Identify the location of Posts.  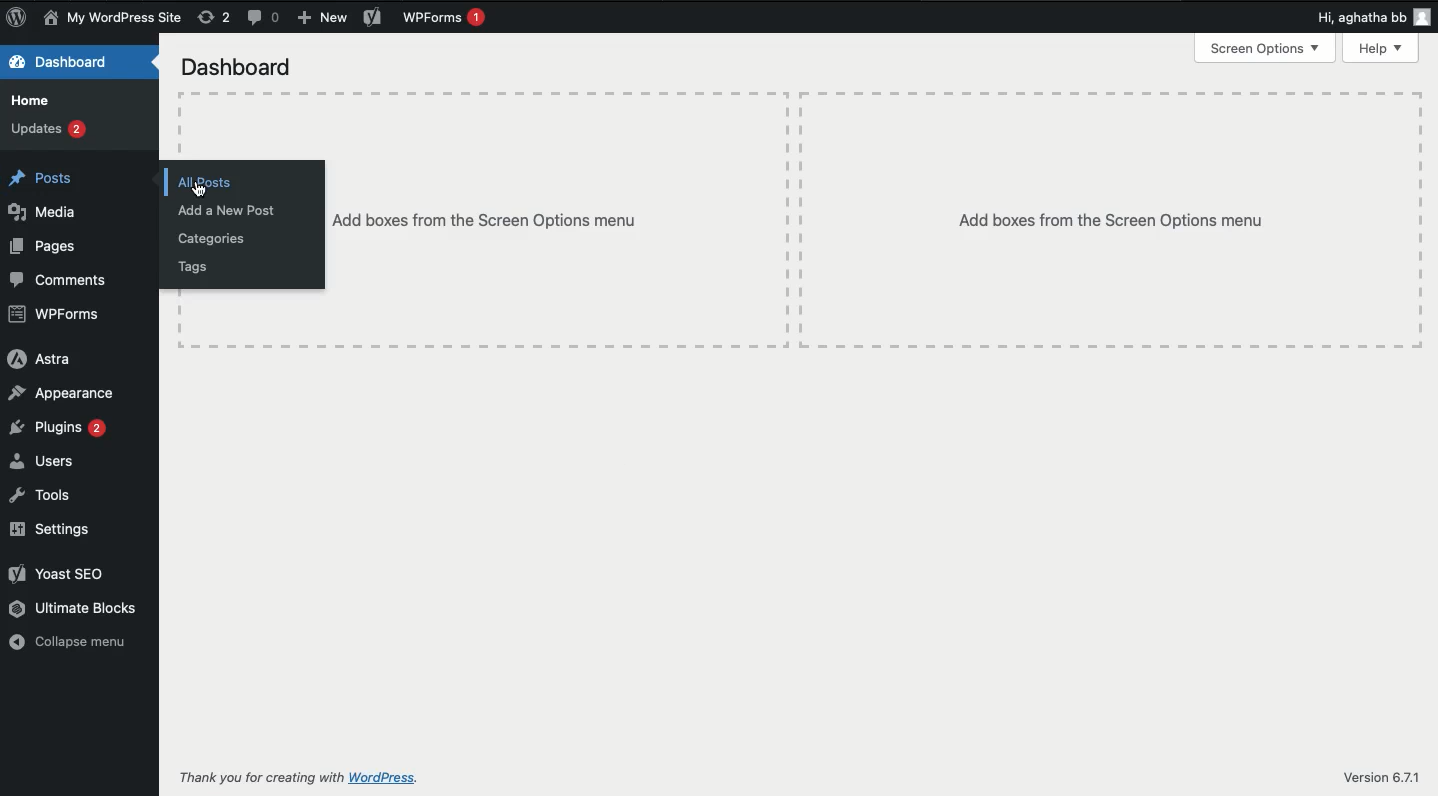
(47, 180).